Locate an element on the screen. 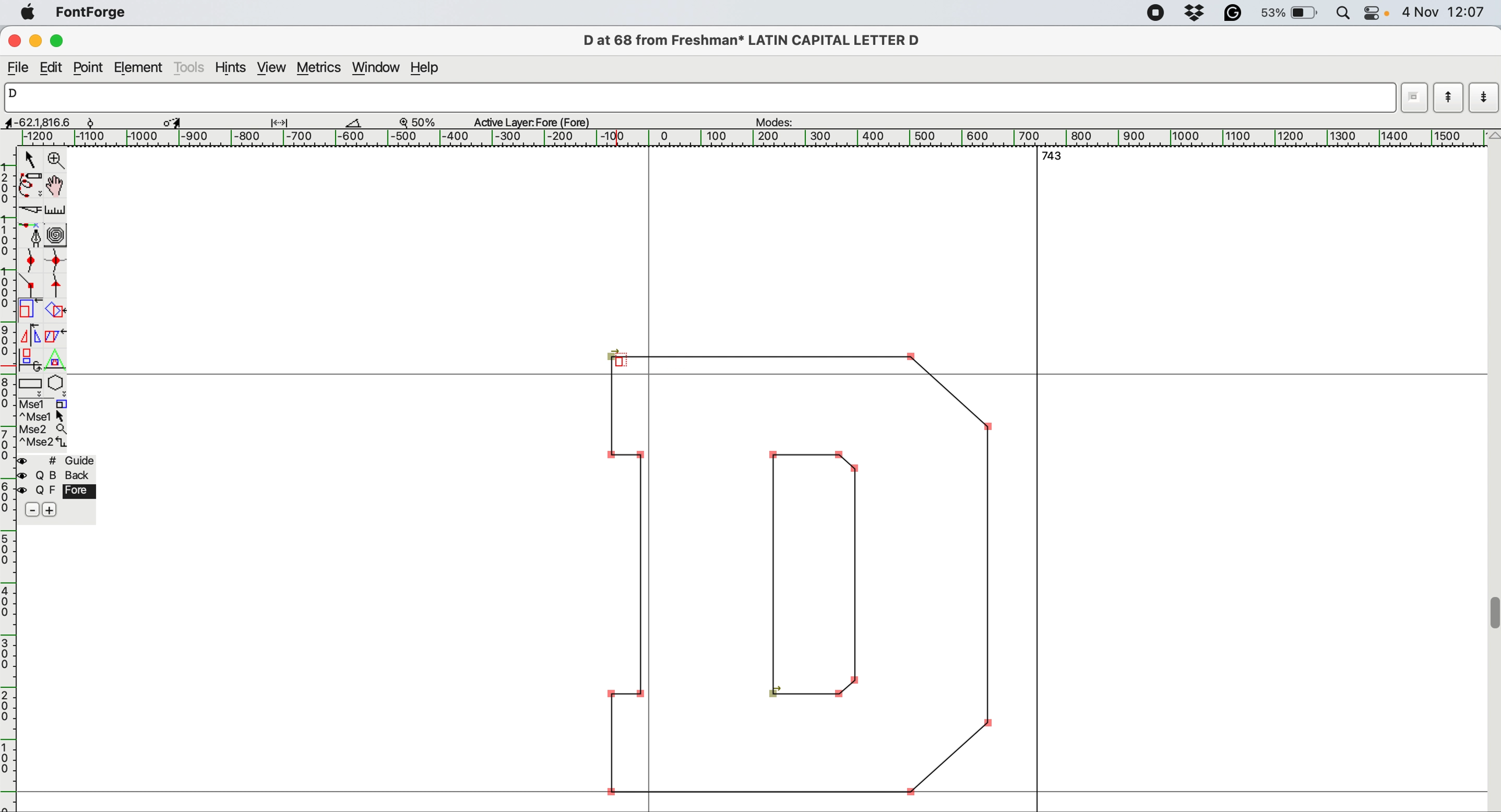 This screenshot has height=812, width=1501. measure distance between points is located at coordinates (56, 211).